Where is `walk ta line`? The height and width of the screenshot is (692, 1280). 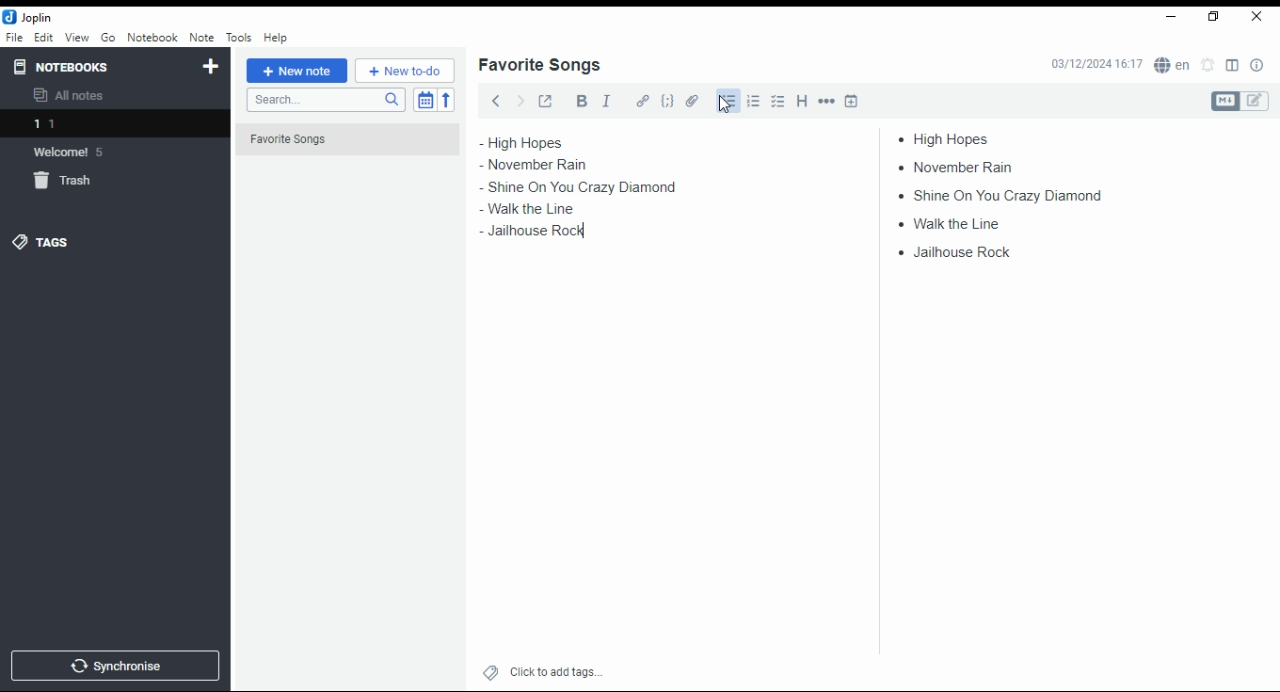
walk ta line is located at coordinates (522, 209).